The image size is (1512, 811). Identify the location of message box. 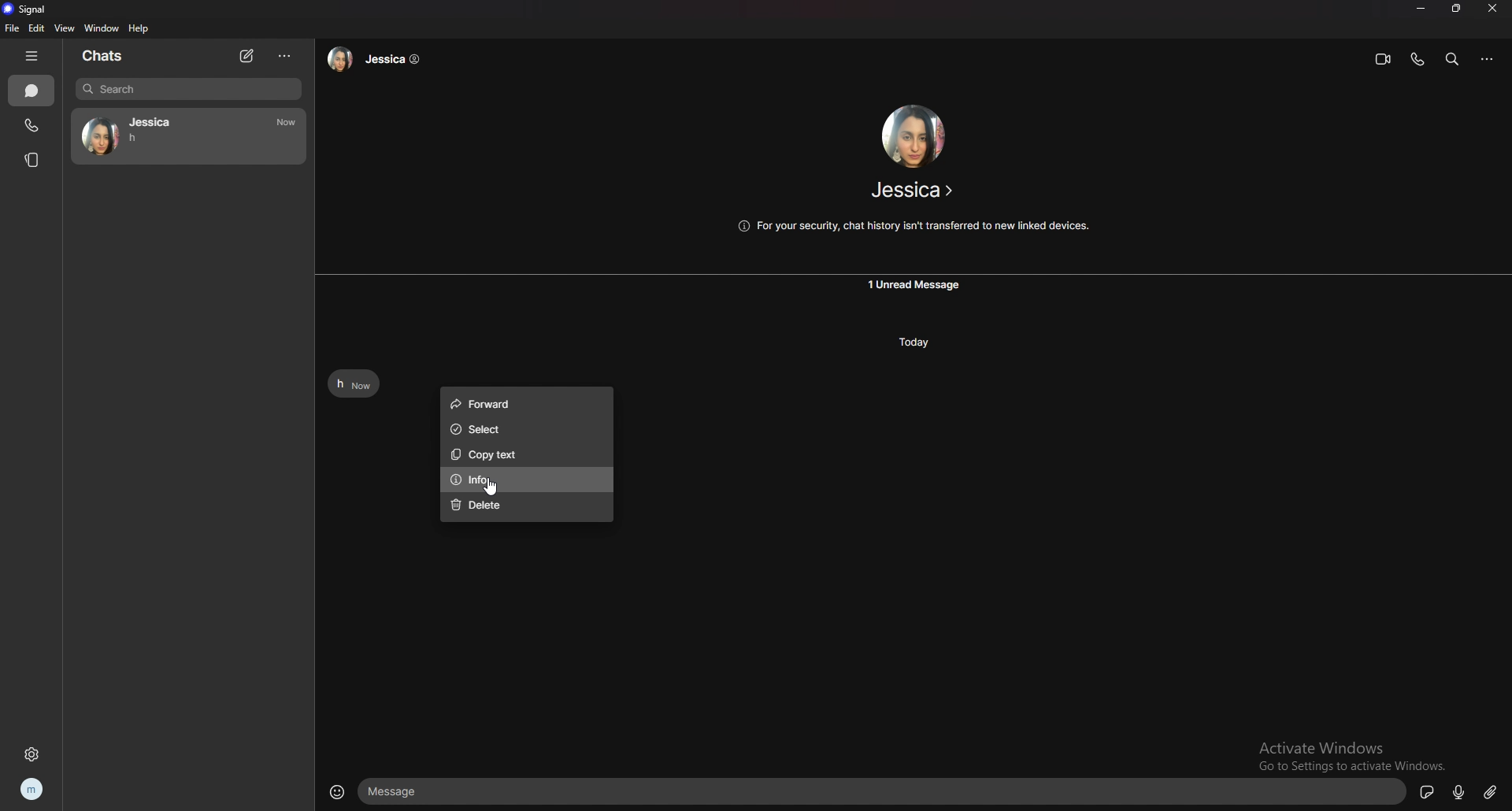
(880, 793).